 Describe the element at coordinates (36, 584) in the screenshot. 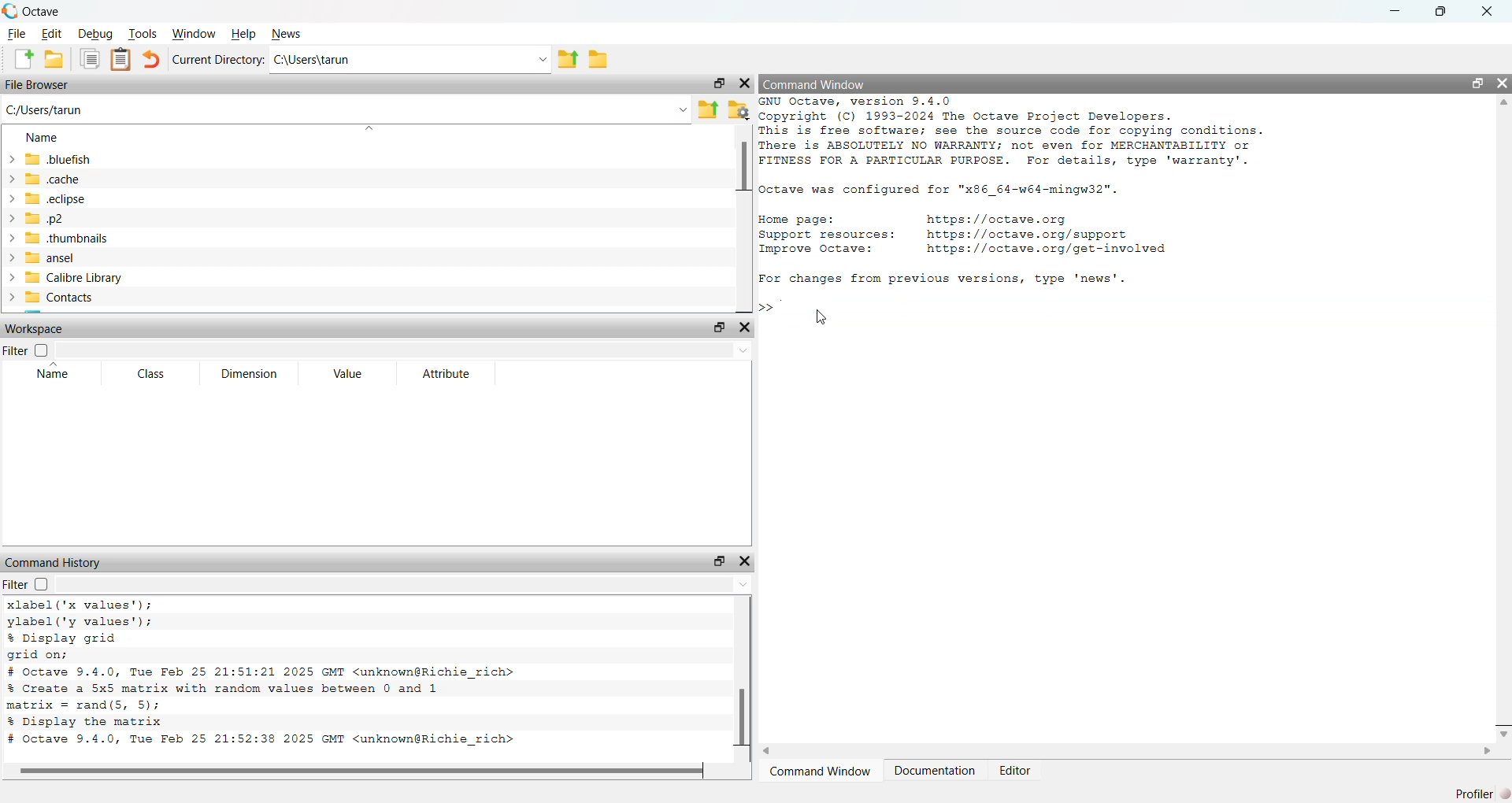

I see `fiIter` at that location.